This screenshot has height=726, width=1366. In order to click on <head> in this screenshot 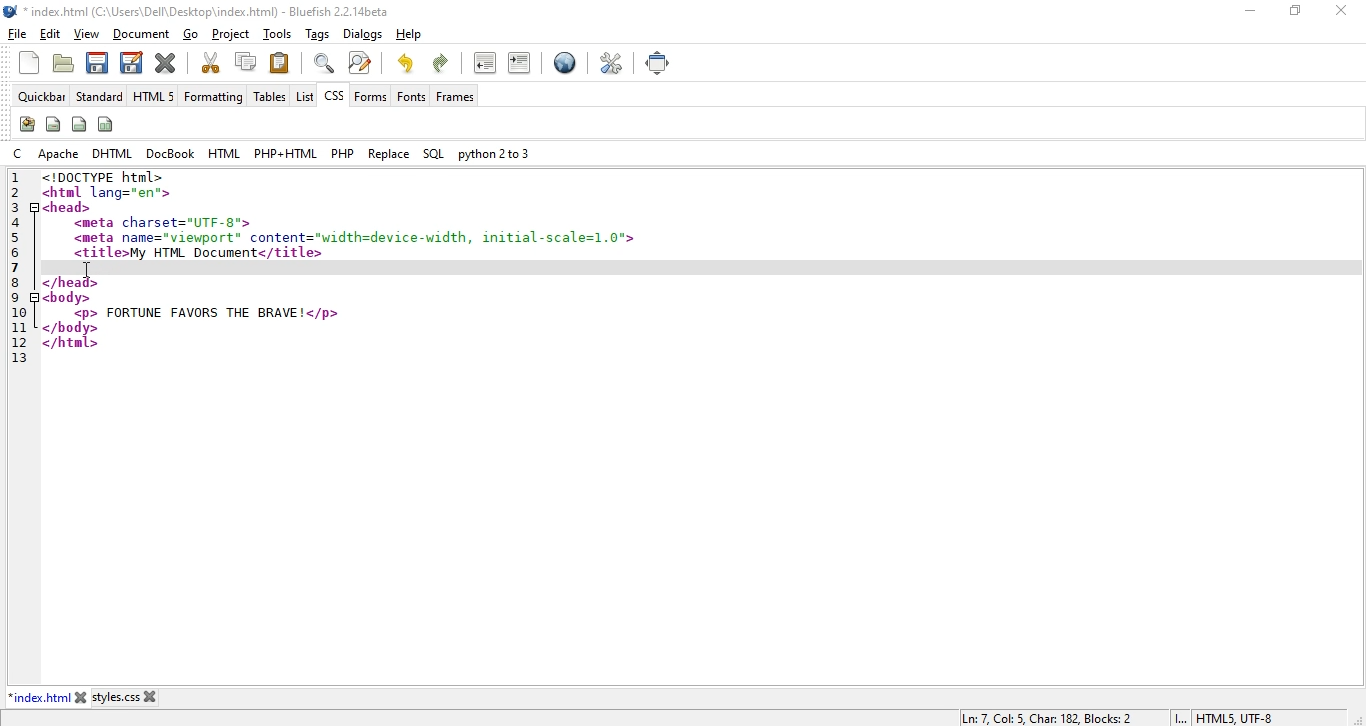, I will do `click(68, 207)`.